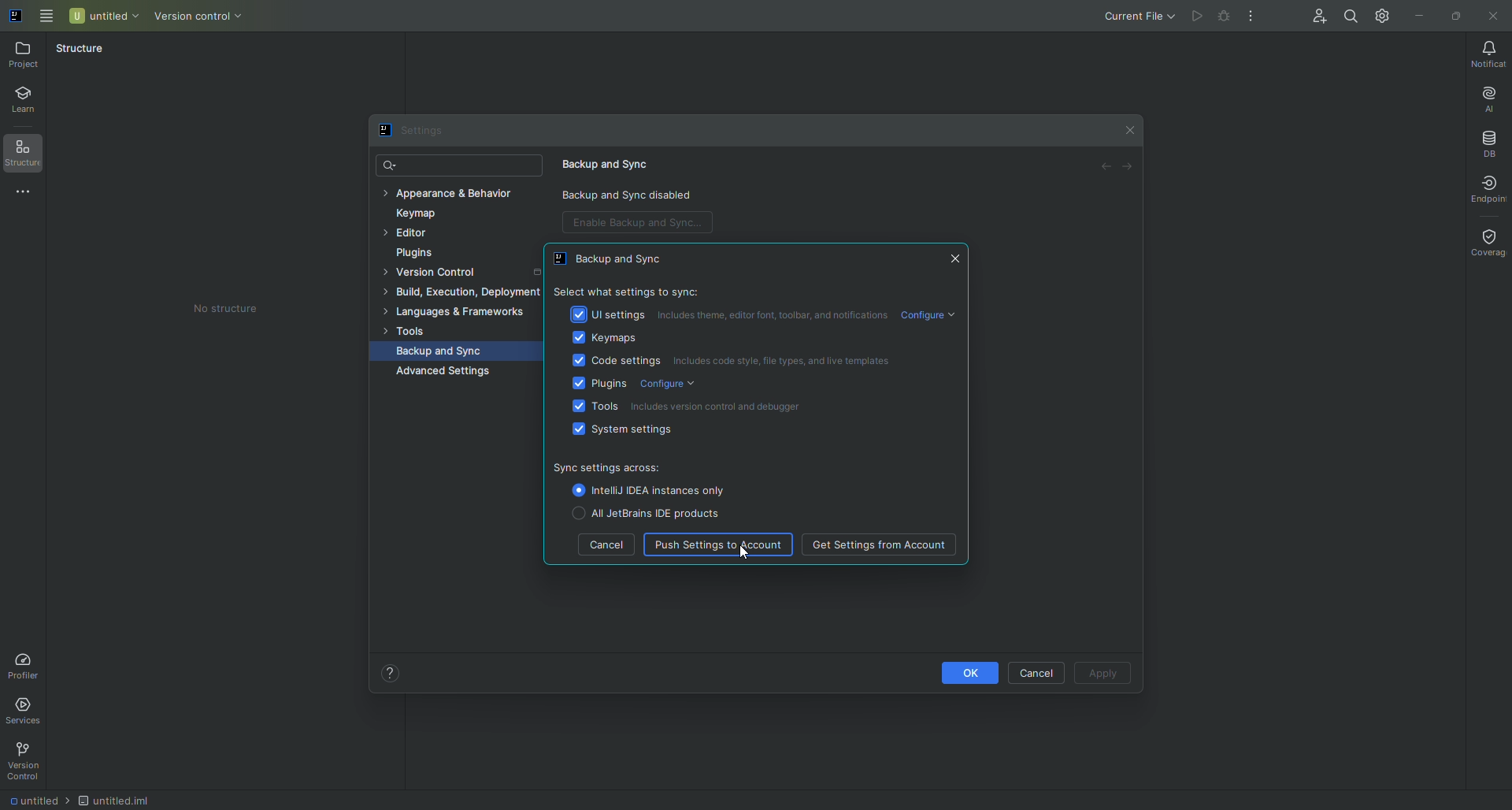 This screenshot has height=810, width=1512. What do you see at coordinates (444, 372) in the screenshot?
I see `Advanced Settings` at bounding box center [444, 372].